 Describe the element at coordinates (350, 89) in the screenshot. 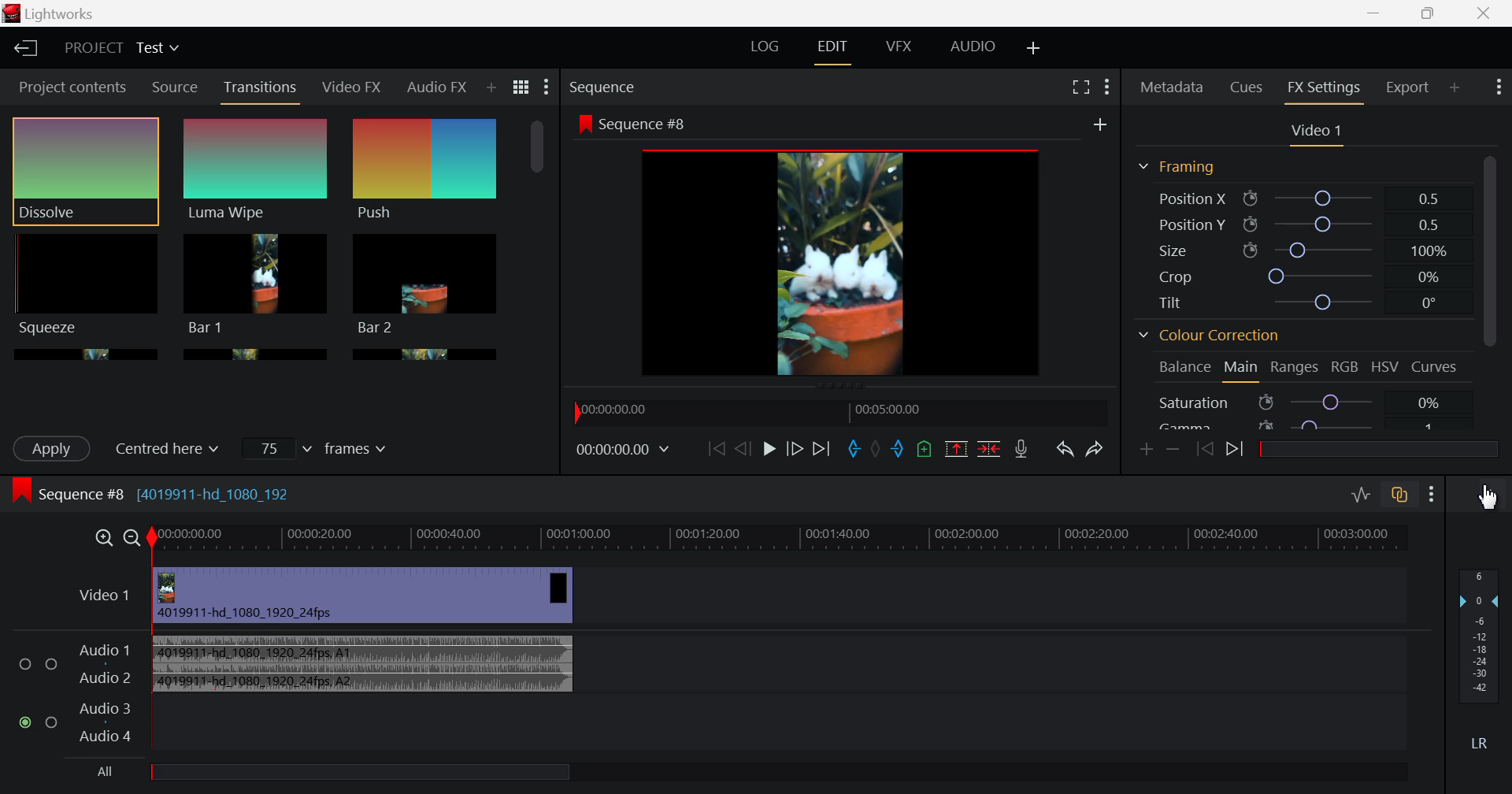

I see `Video FX` at that location.